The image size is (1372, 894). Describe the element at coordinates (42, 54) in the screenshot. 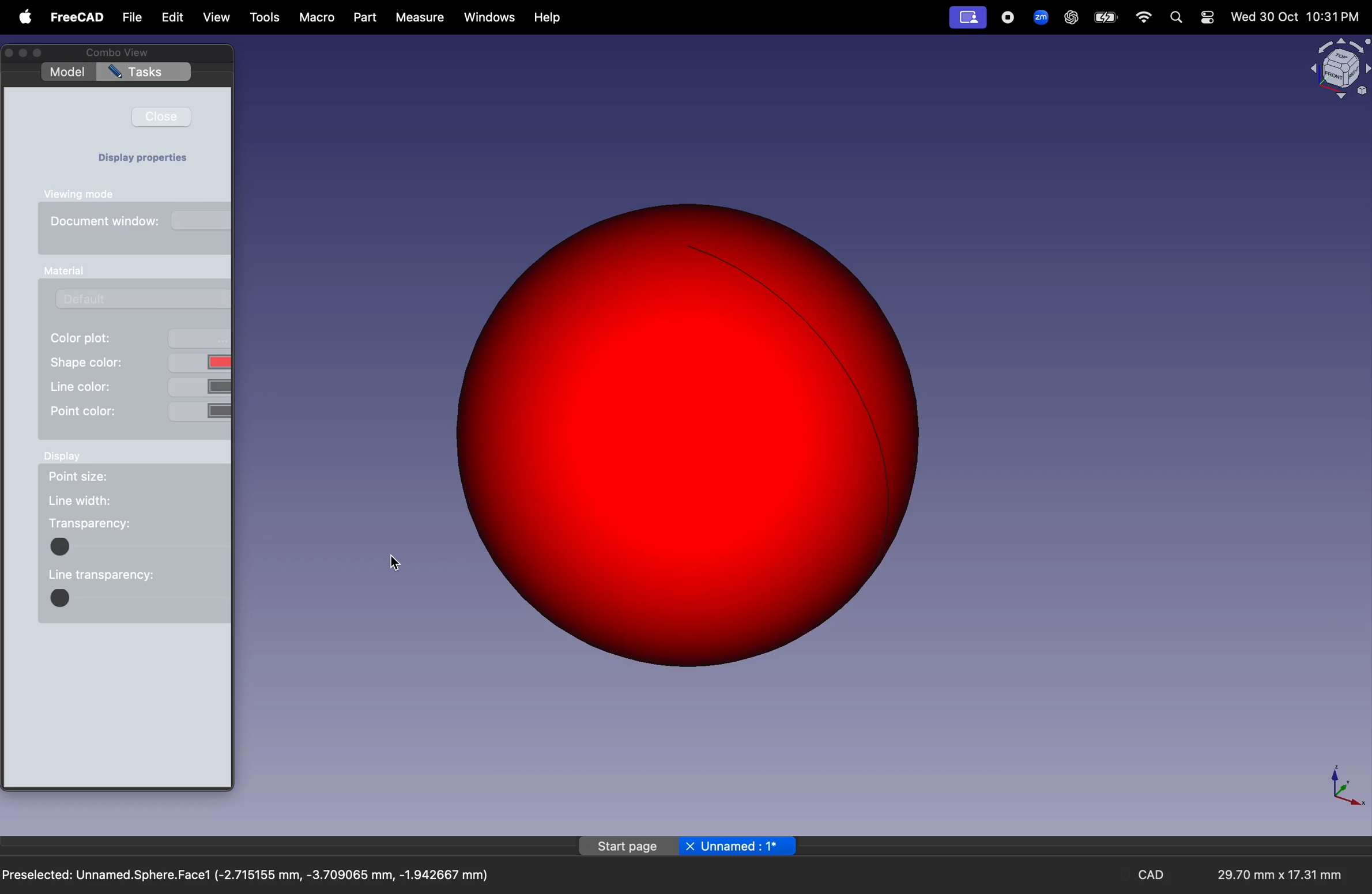

I see `Enter full screen` at that location.